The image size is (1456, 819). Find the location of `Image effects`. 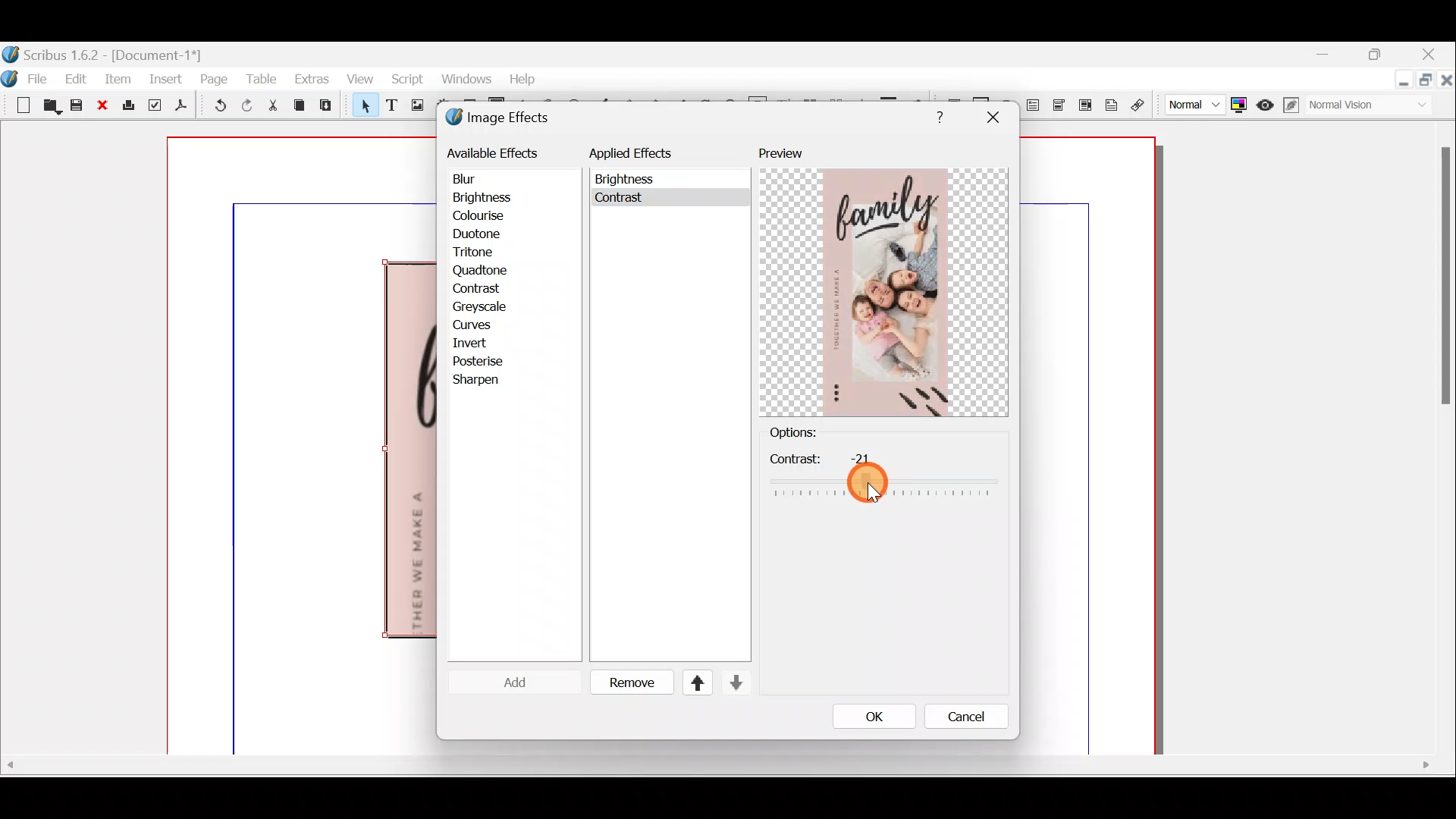

Image effects is located at coordinates (507, 119).